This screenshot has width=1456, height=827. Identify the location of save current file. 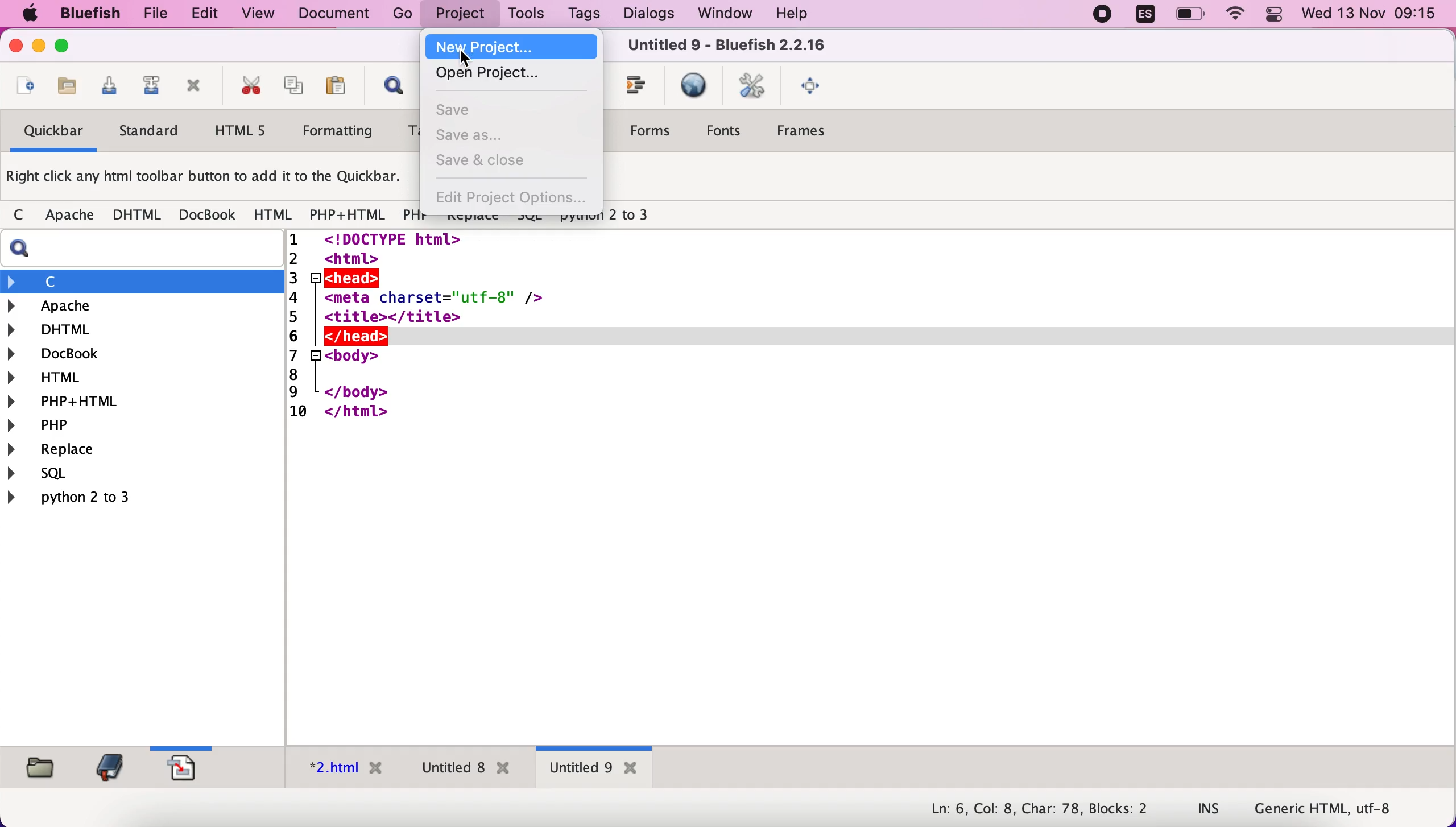
(106, 89).